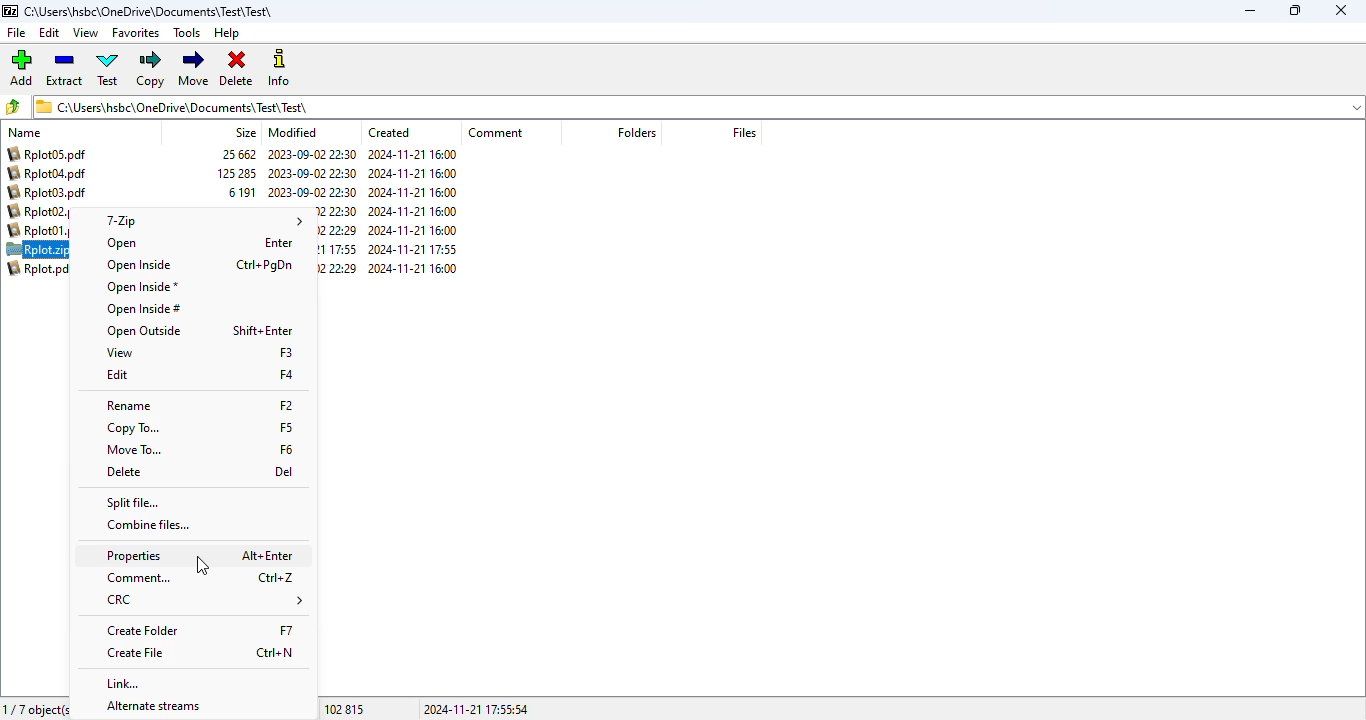  What do you see at coordinates (134, 33) in the screenshot?
I see `favorites` at bounding box center [134, 33].